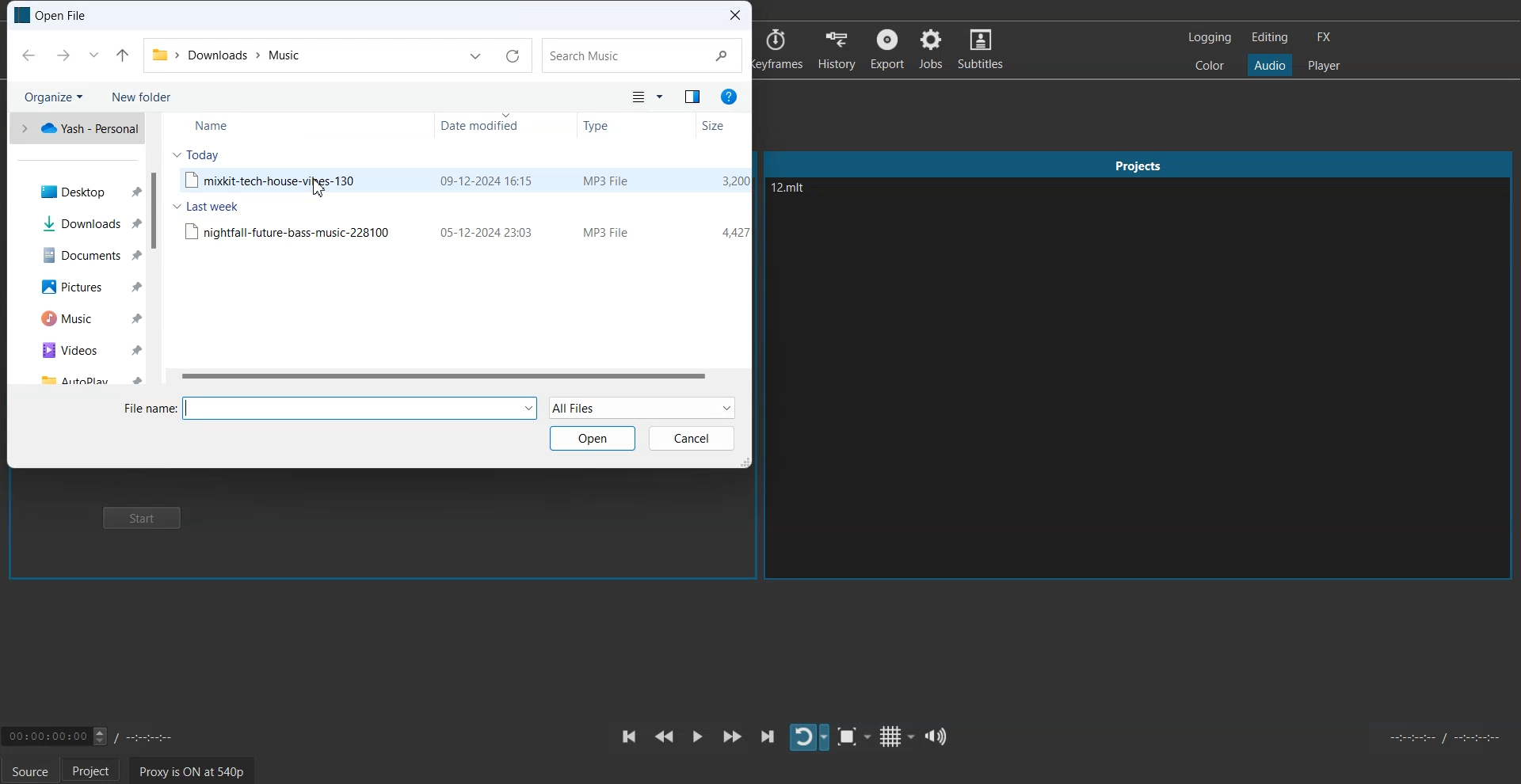  What do you see at coordinates (197, 154) in the screenshot?
I see `Today` at bounding box center [197, 154].